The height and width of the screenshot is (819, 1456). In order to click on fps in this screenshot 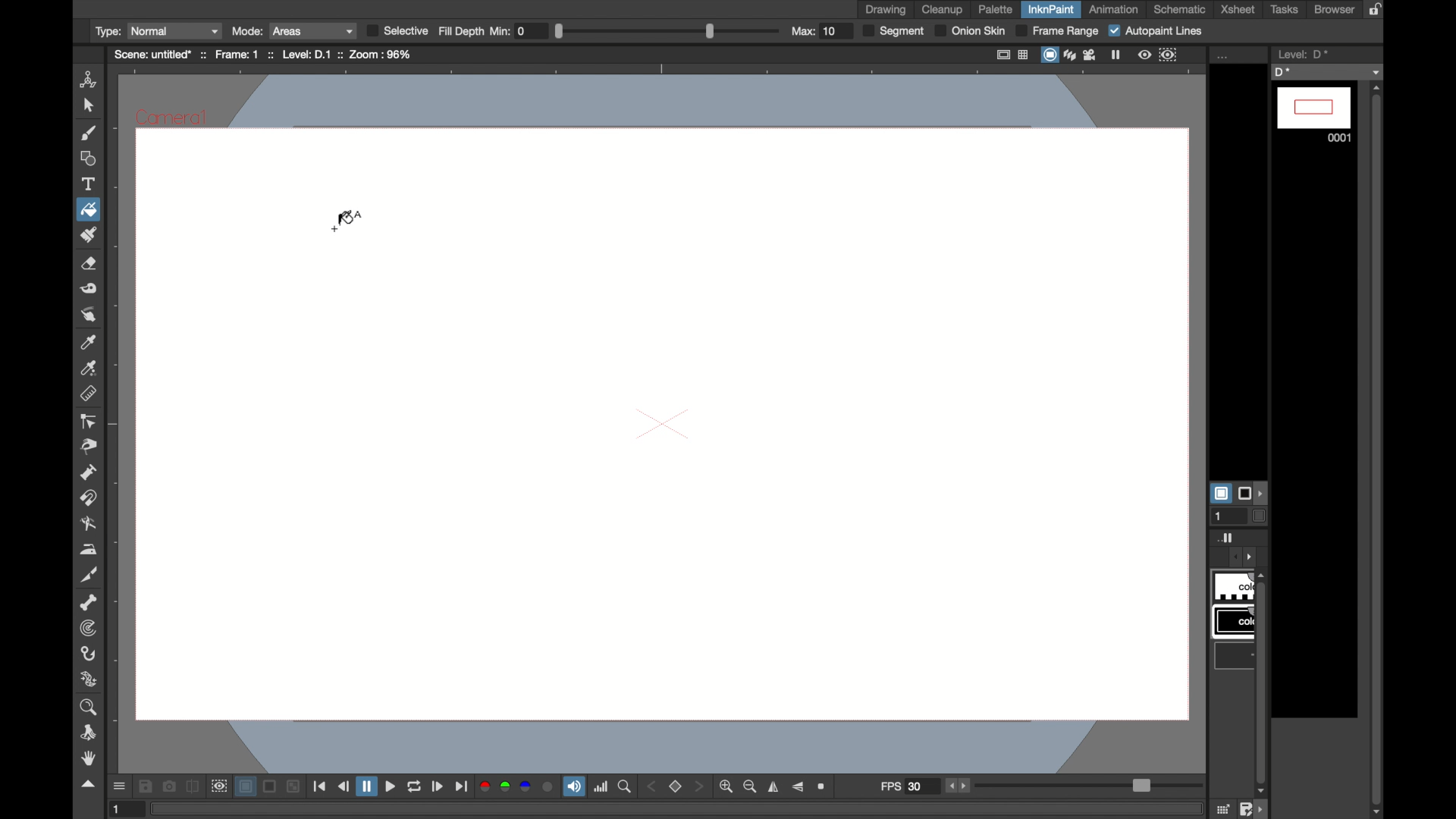, I will do `click(908, 785)`.